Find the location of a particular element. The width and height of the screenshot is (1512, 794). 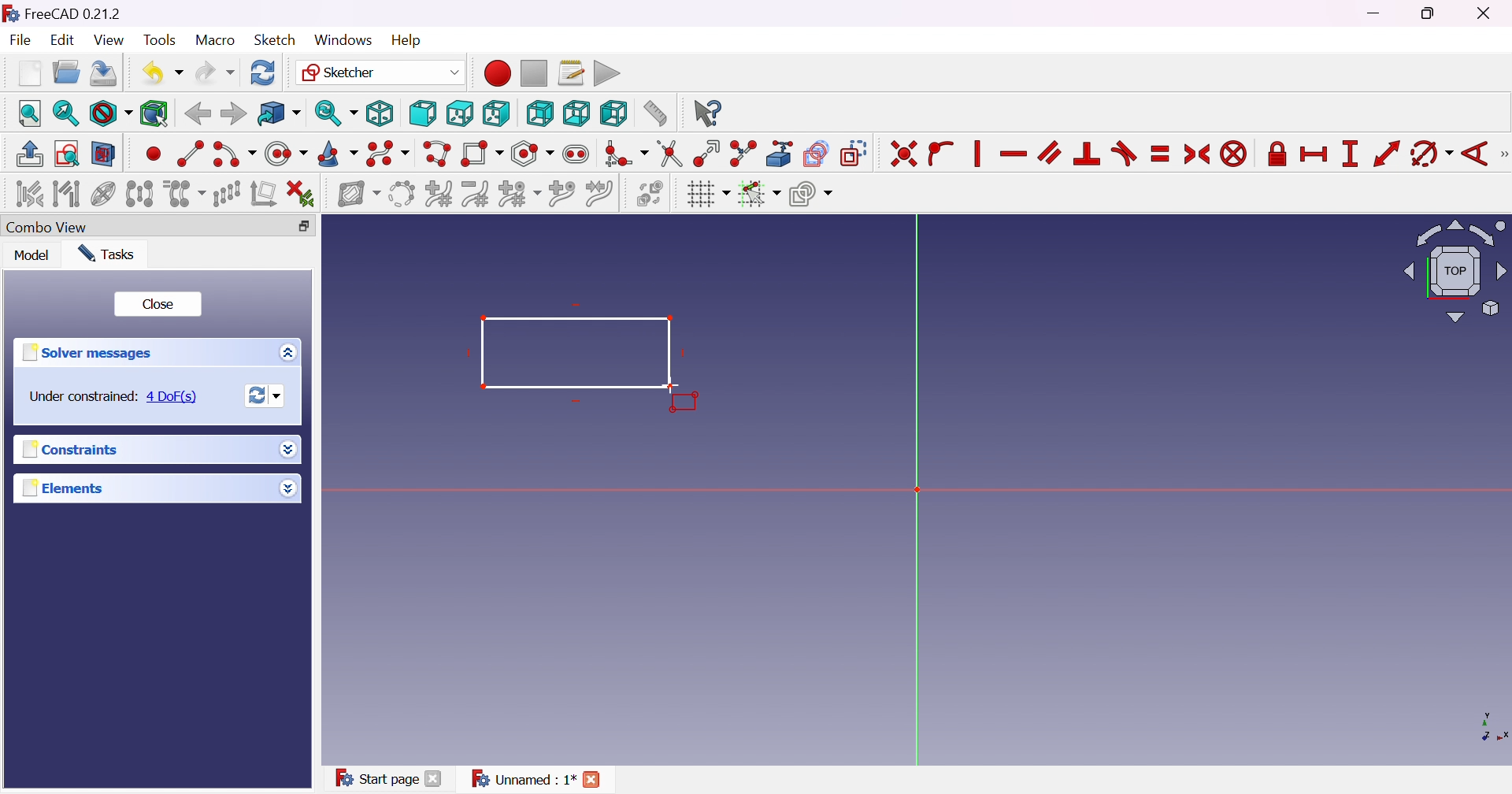

Select associated geometry is located at coordinates (67, 193).